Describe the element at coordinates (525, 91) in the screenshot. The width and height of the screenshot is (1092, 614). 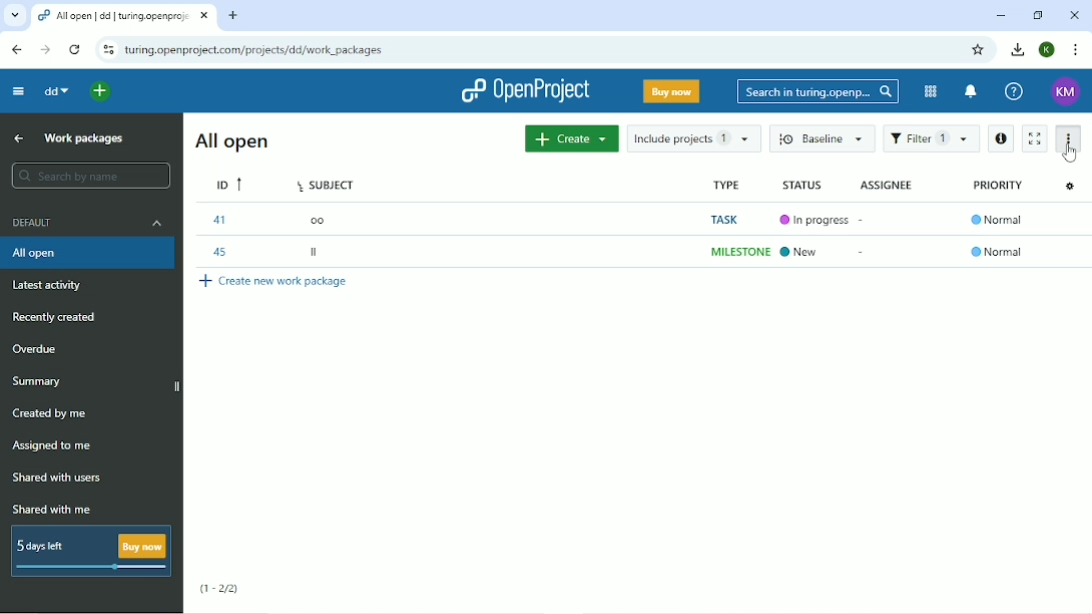
I see `OpenProject` at that location.